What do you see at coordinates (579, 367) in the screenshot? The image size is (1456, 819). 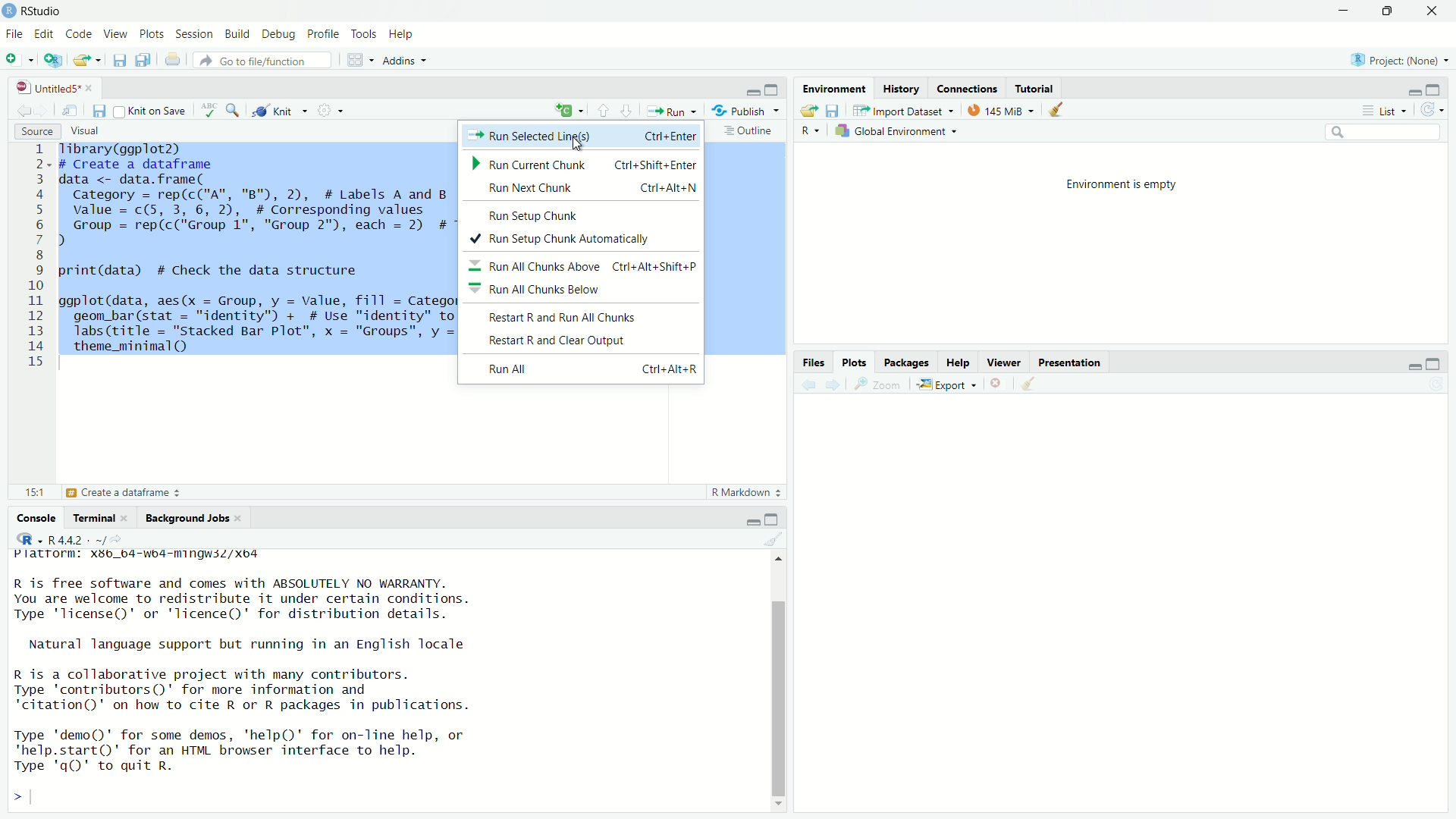 I see `Run All Ctri+Alt+R` at bounding box center [579, 367].